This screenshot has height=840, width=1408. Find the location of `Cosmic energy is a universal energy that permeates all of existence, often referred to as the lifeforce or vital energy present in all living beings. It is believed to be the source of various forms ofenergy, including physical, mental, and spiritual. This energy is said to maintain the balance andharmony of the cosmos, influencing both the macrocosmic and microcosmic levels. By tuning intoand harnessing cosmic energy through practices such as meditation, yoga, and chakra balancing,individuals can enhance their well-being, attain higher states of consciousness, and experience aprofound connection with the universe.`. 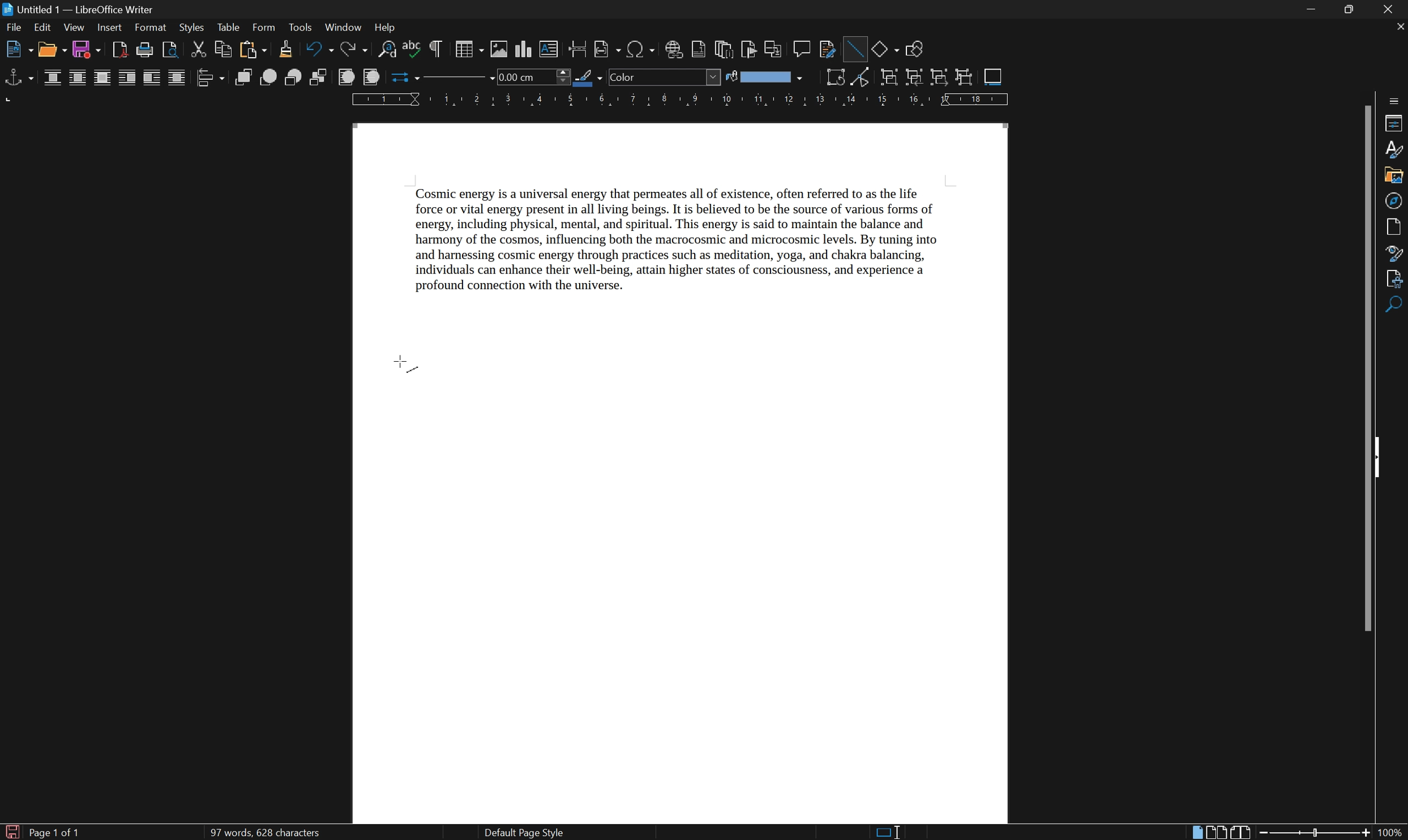

Cosmic energy is a universal energy that permeates all of existence, often referred to as the lifeforce or vital energy present in all living beings. It is believed to be the source of various forms ofenergy, including physical, mental, and spiritual. This energy is said to maintain the balance andharmony of the cosmos, influencing both the macrocosmic and microcosmic levels. By tuning intoand harnessing cosmic energy through practices such as meditation, yoga, and chakra balancing,individuals can enhance their well-being, attain higher states of consciousness, and experience aprofound connection with the universe. is located at coordinates (697, 246).